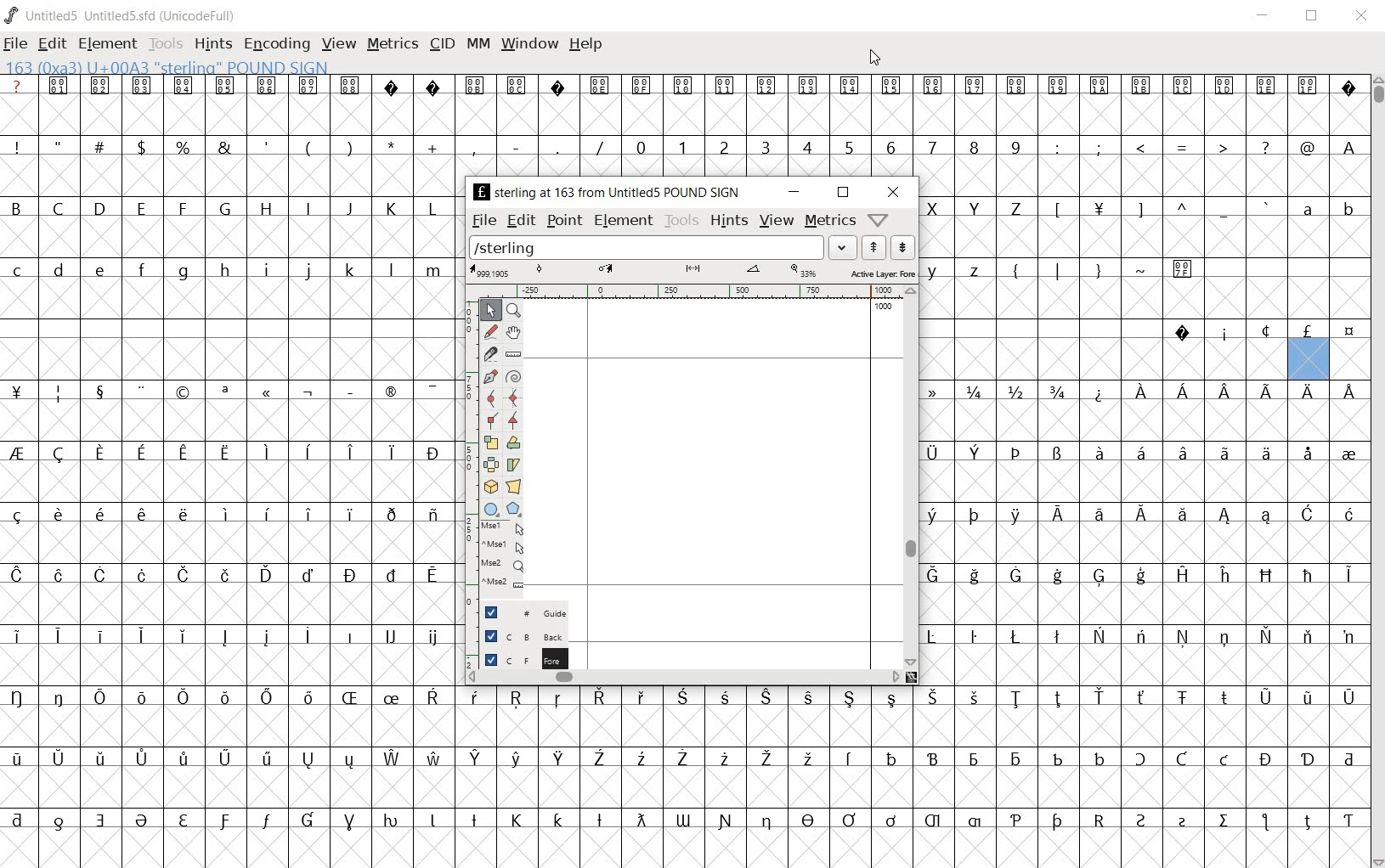 The height and width of the screenshot is (868, 1385). Describe the element at coordinates (850, 699) in the screenshot. I see `Symbol` at that location.